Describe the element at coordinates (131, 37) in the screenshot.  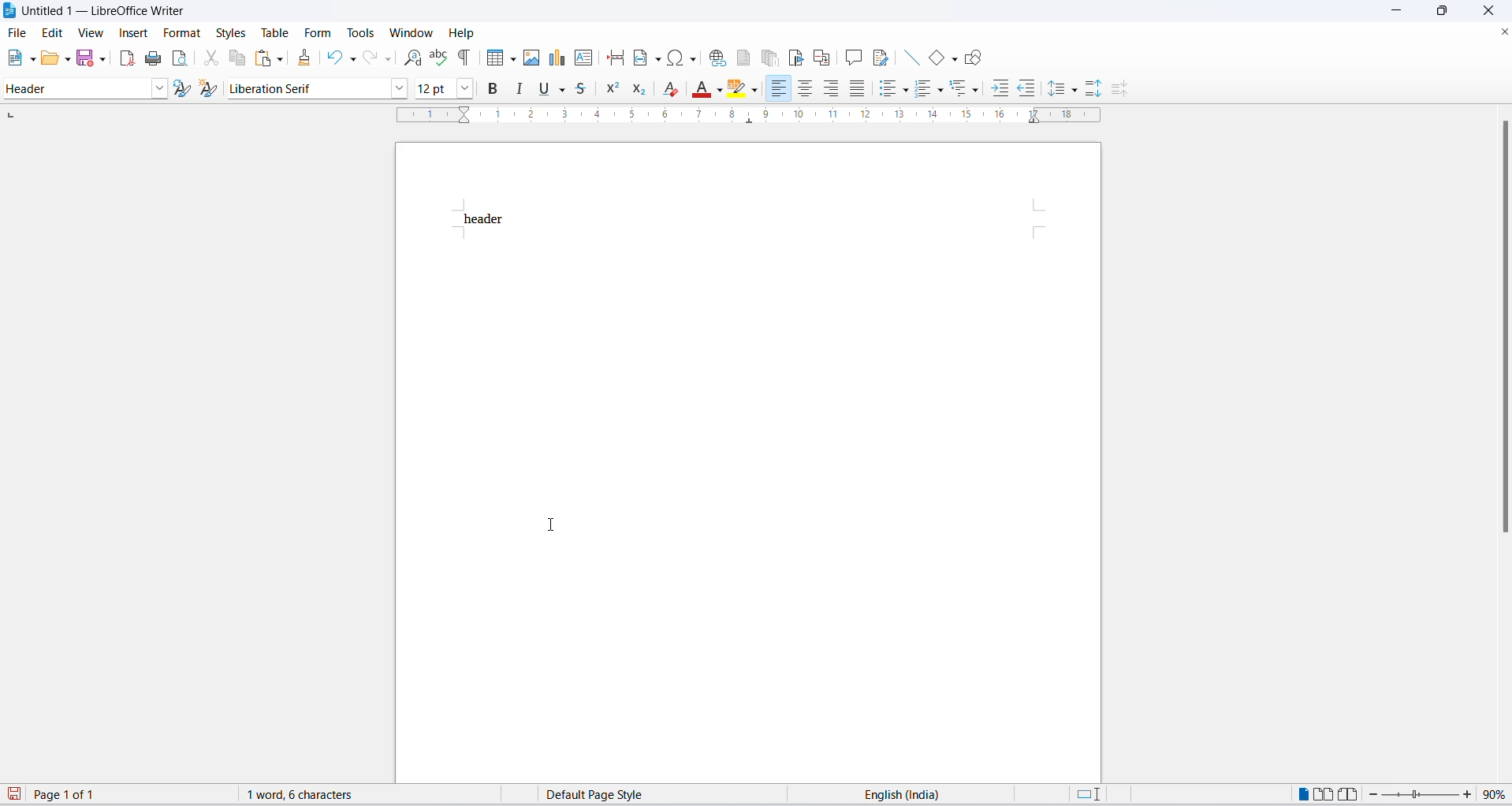
I see `cursor` at that location.